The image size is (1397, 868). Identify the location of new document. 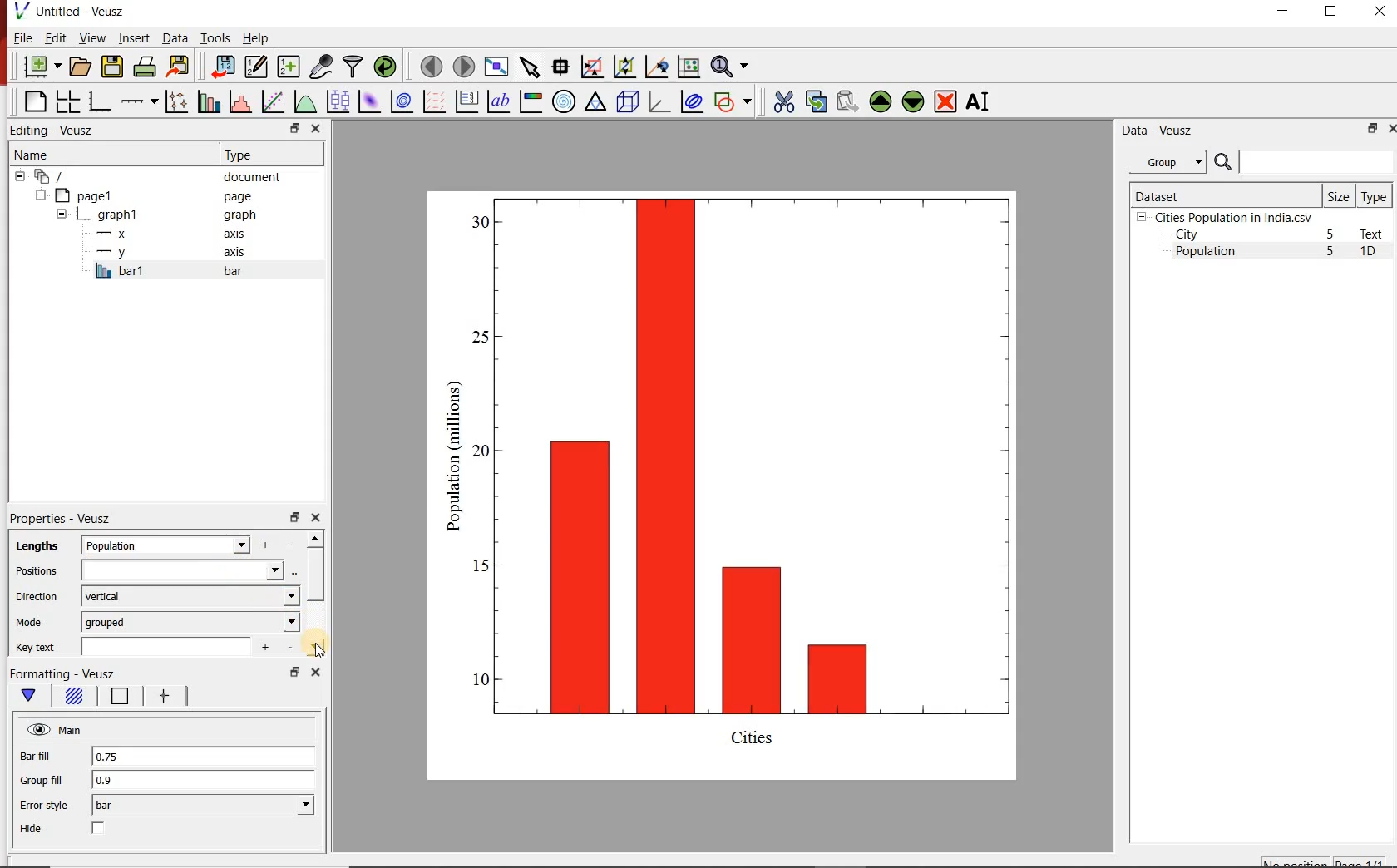
(39, 67).